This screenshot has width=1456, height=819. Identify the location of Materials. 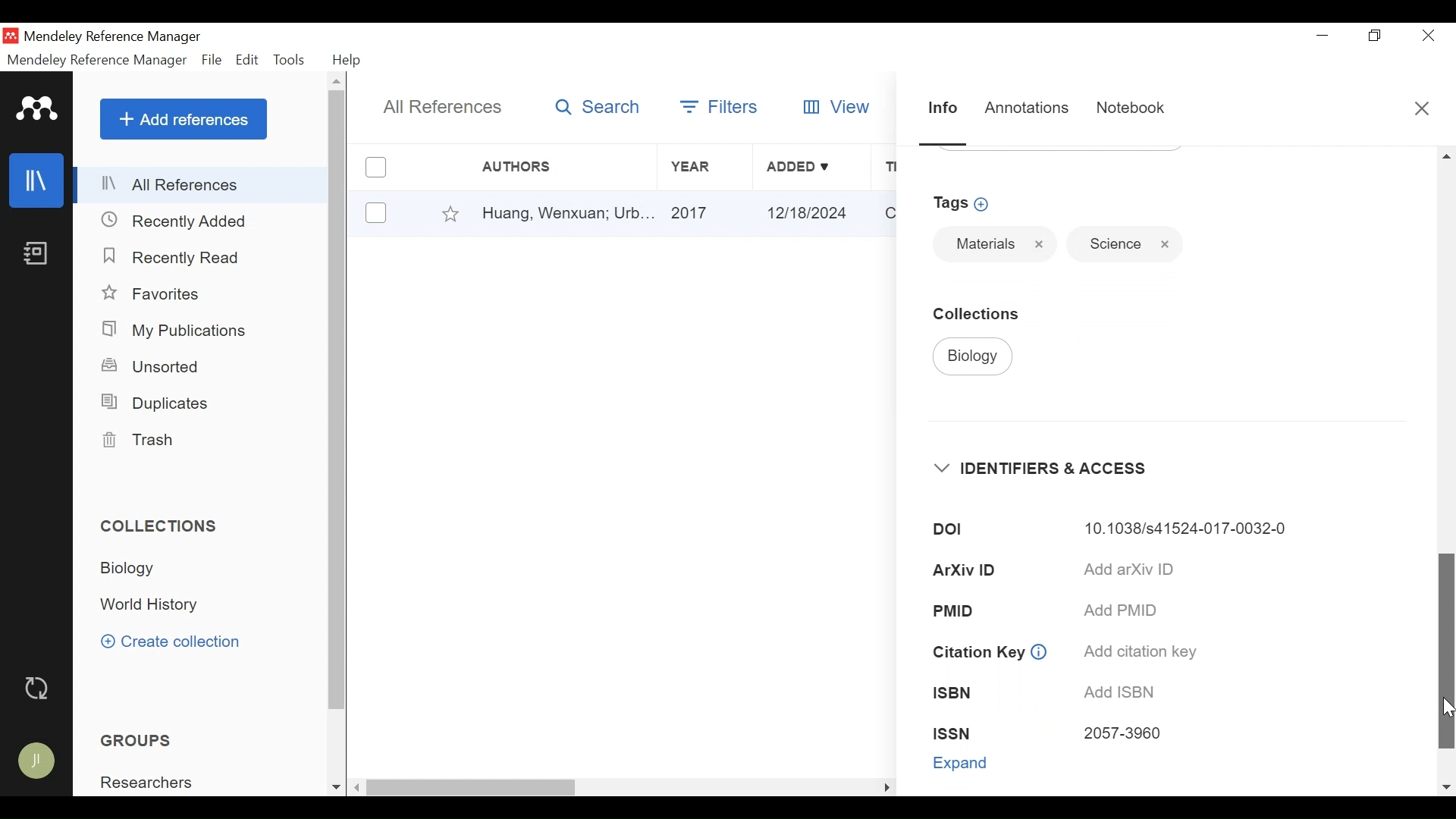
(982, 243).